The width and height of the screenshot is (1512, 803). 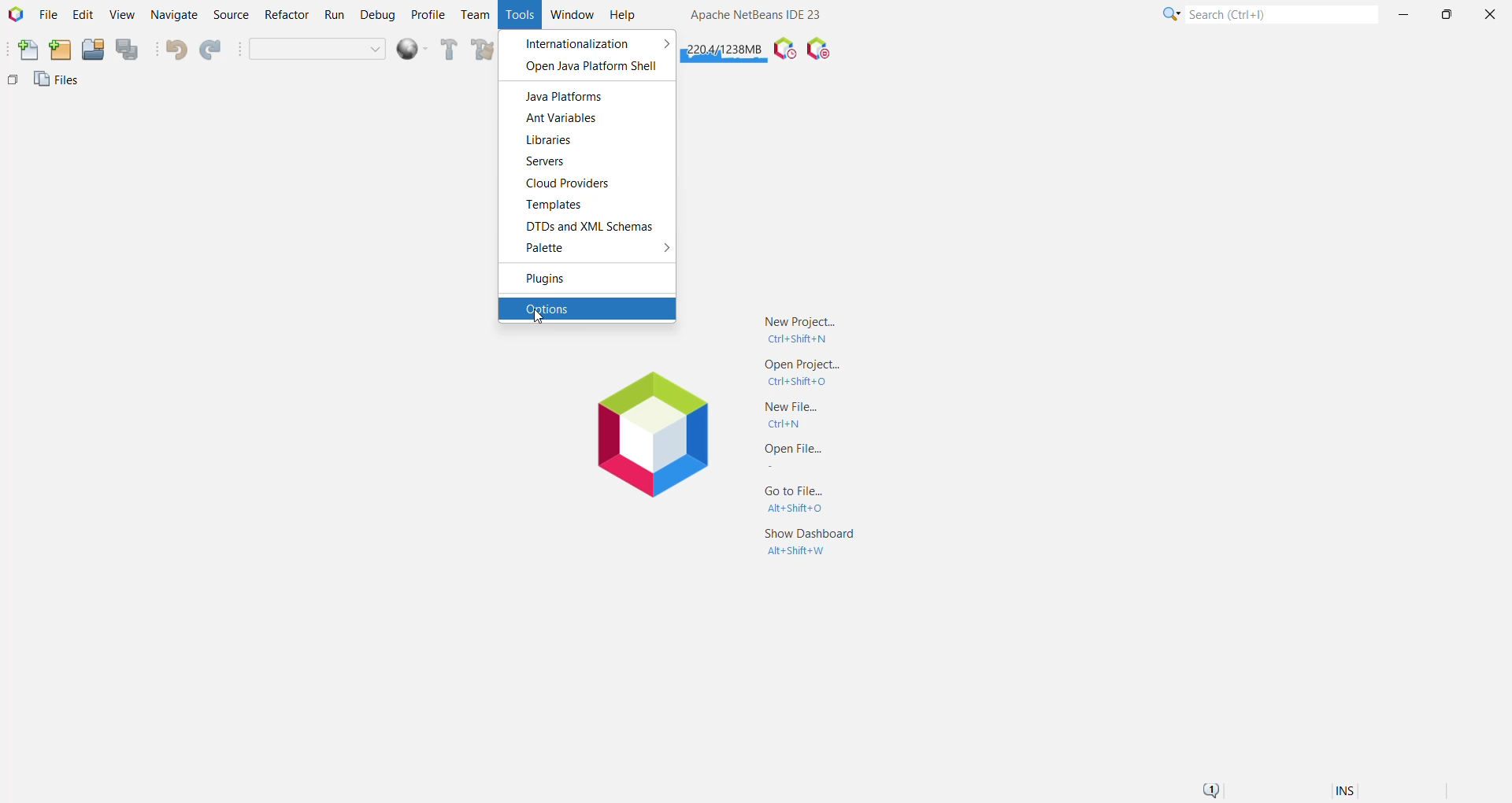 I want to click on New Project, so click(x=803, y=326).